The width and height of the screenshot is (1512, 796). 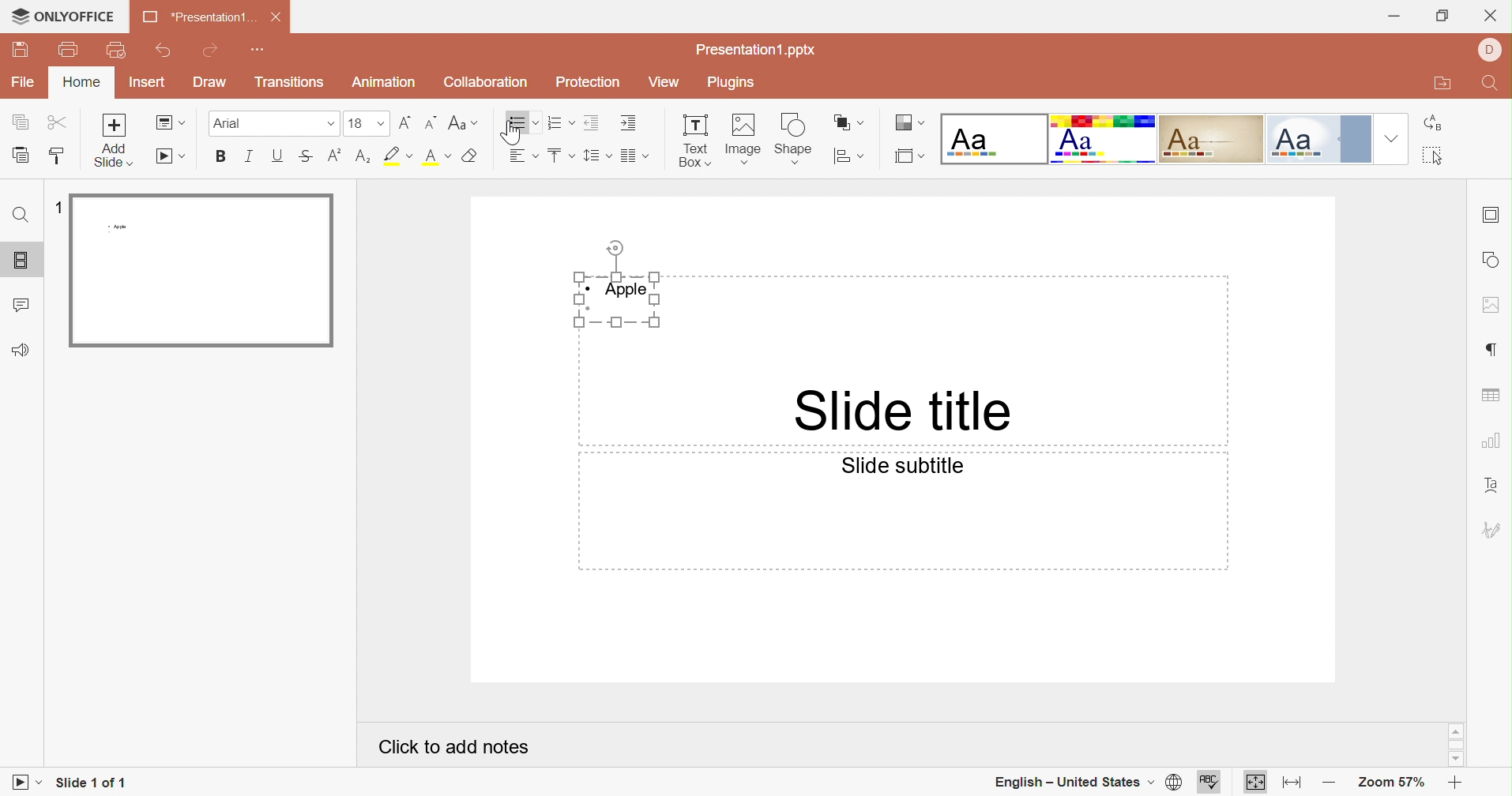 What do you see at coordinates (23, 48) in the screenshot?
I see `Save` at bounding box center [23, 48].